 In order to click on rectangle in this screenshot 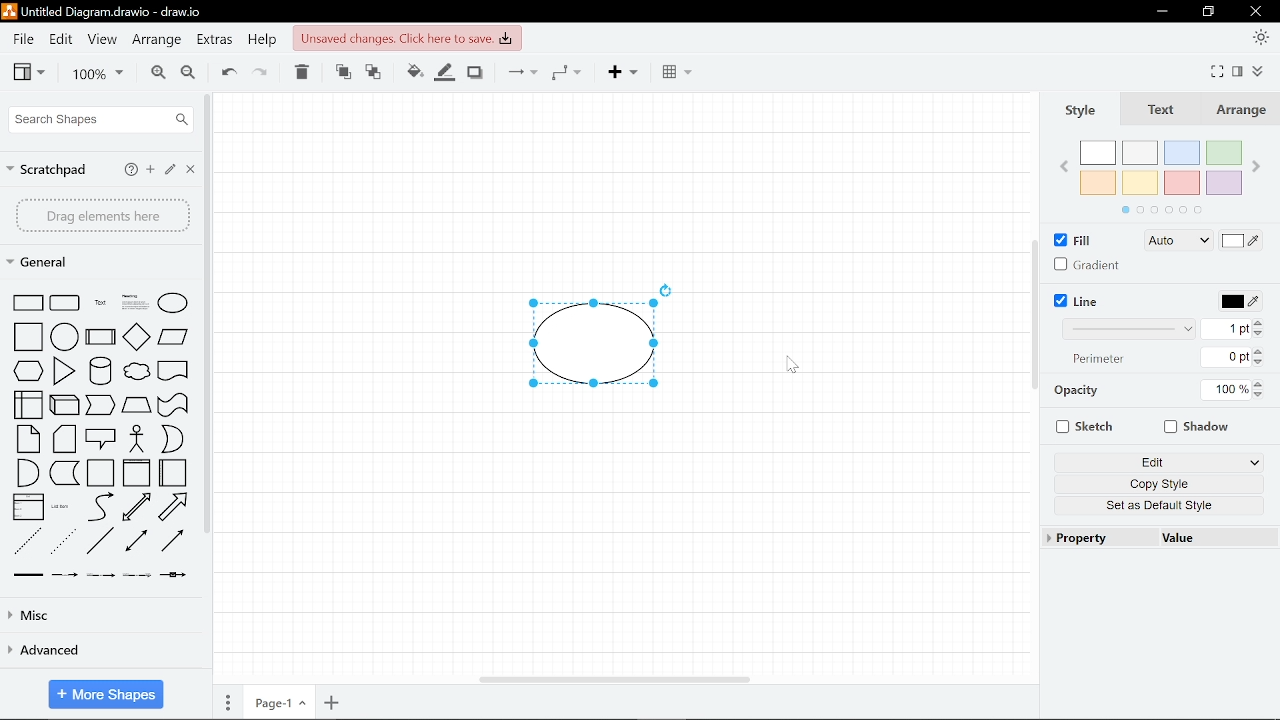, I will do `click(30, 302)`.